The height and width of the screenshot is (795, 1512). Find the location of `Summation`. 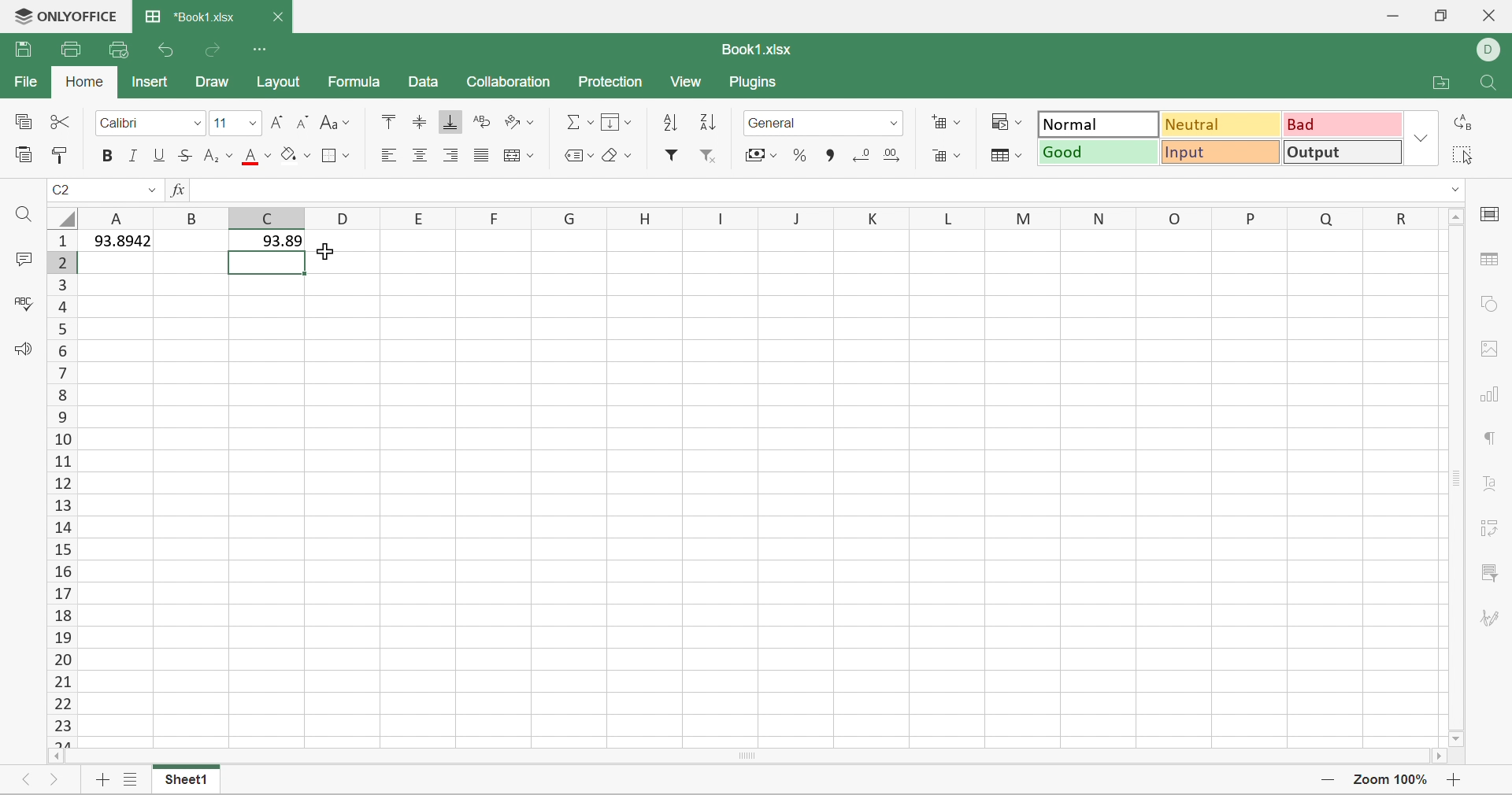

Summation is located at coordinates (580, 121).